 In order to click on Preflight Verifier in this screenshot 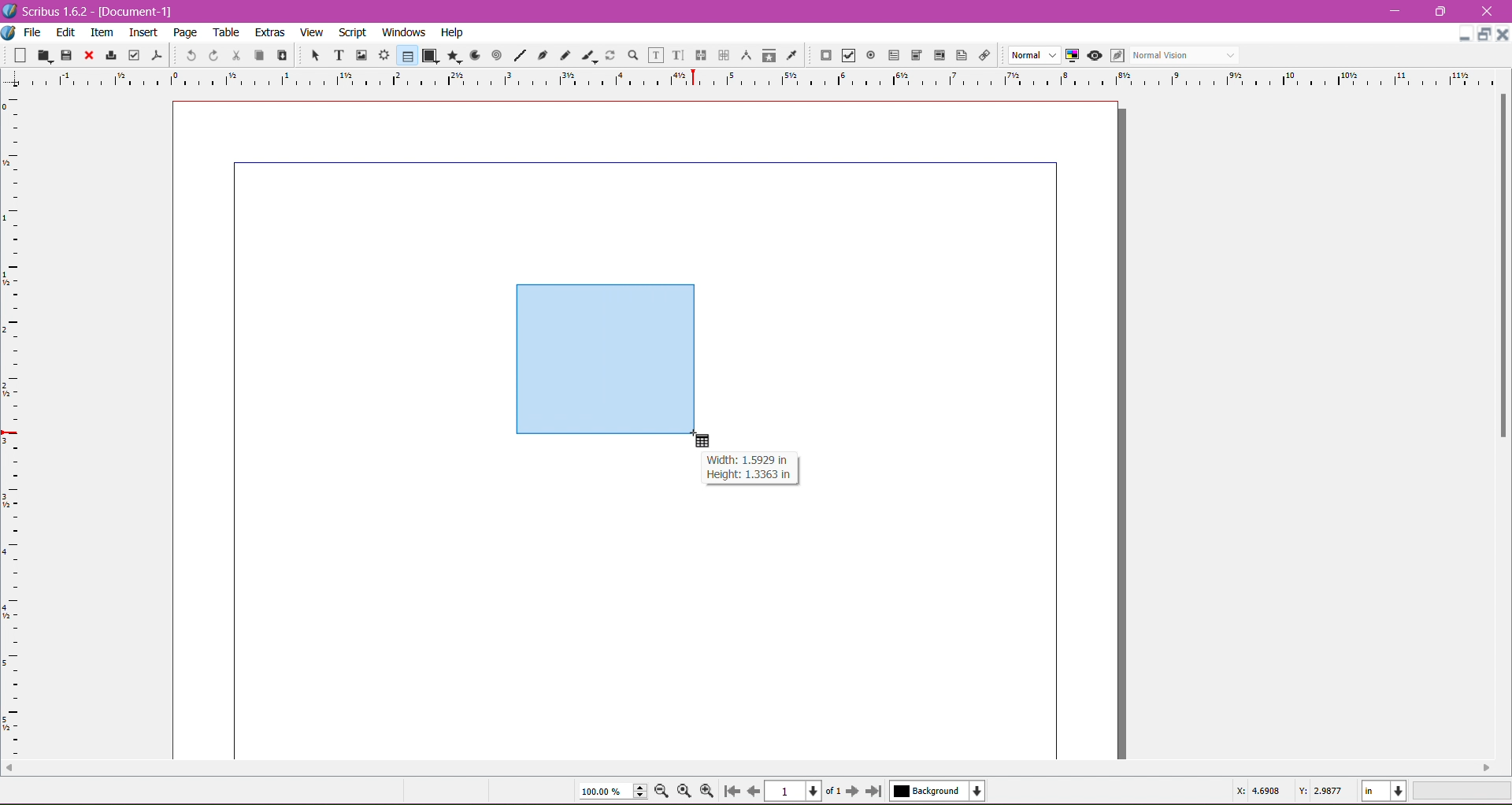, I will do `click(134, 52)`.